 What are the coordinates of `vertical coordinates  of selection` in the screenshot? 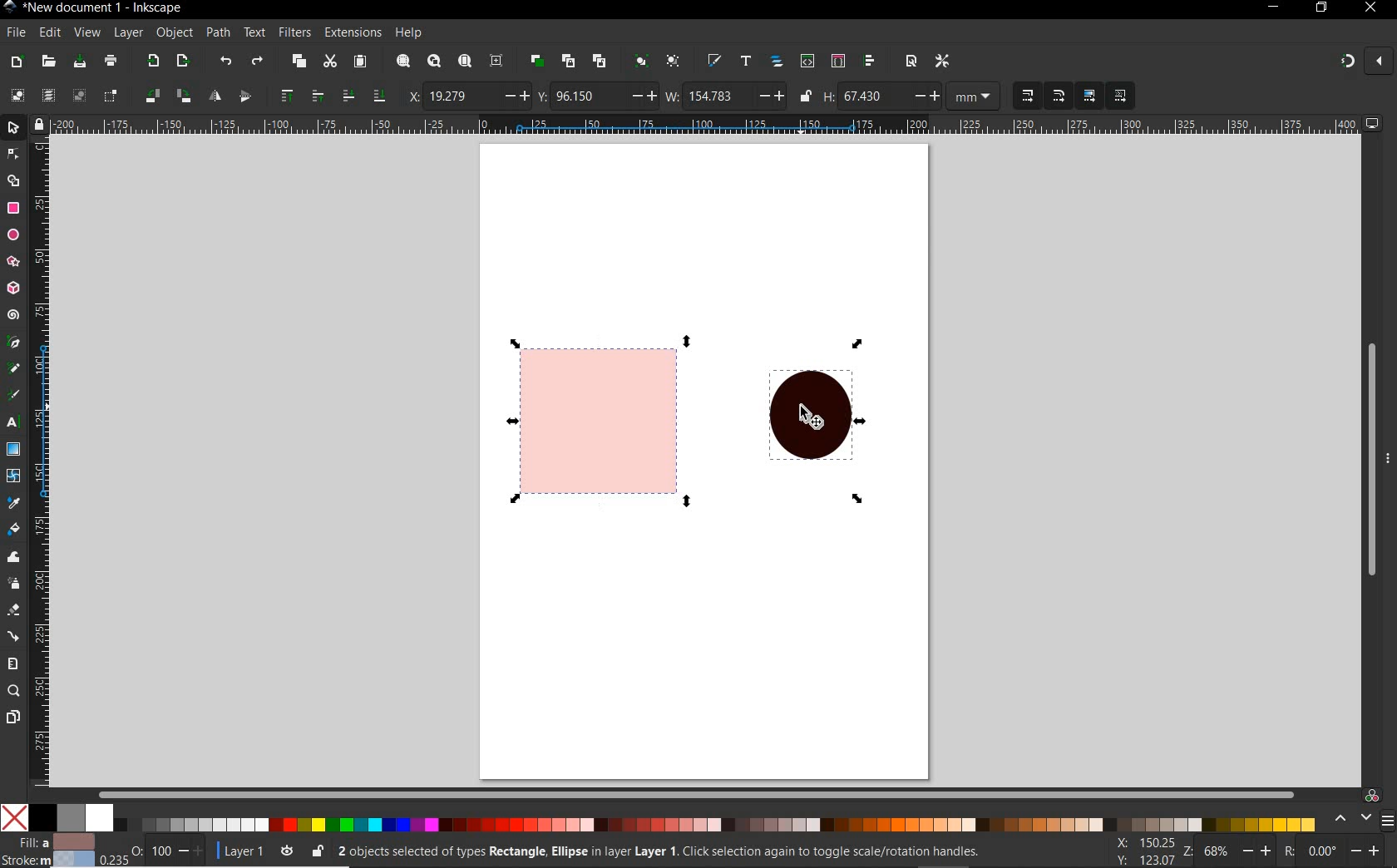 It's located at (597, 96).